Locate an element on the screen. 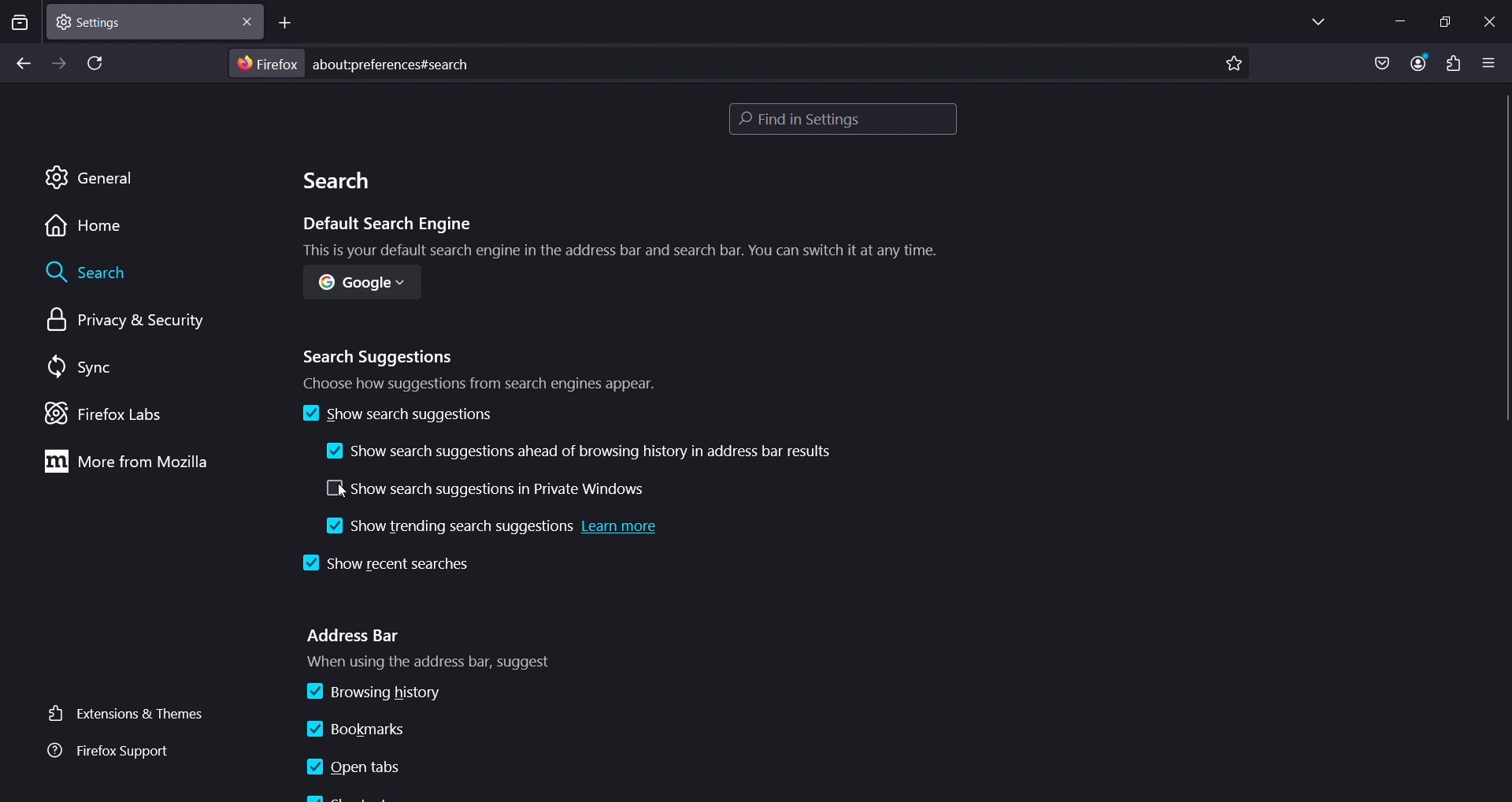 Image resolution: width=1512 pixels, height=802 pixels. ync is located at coordinates (84, 367).